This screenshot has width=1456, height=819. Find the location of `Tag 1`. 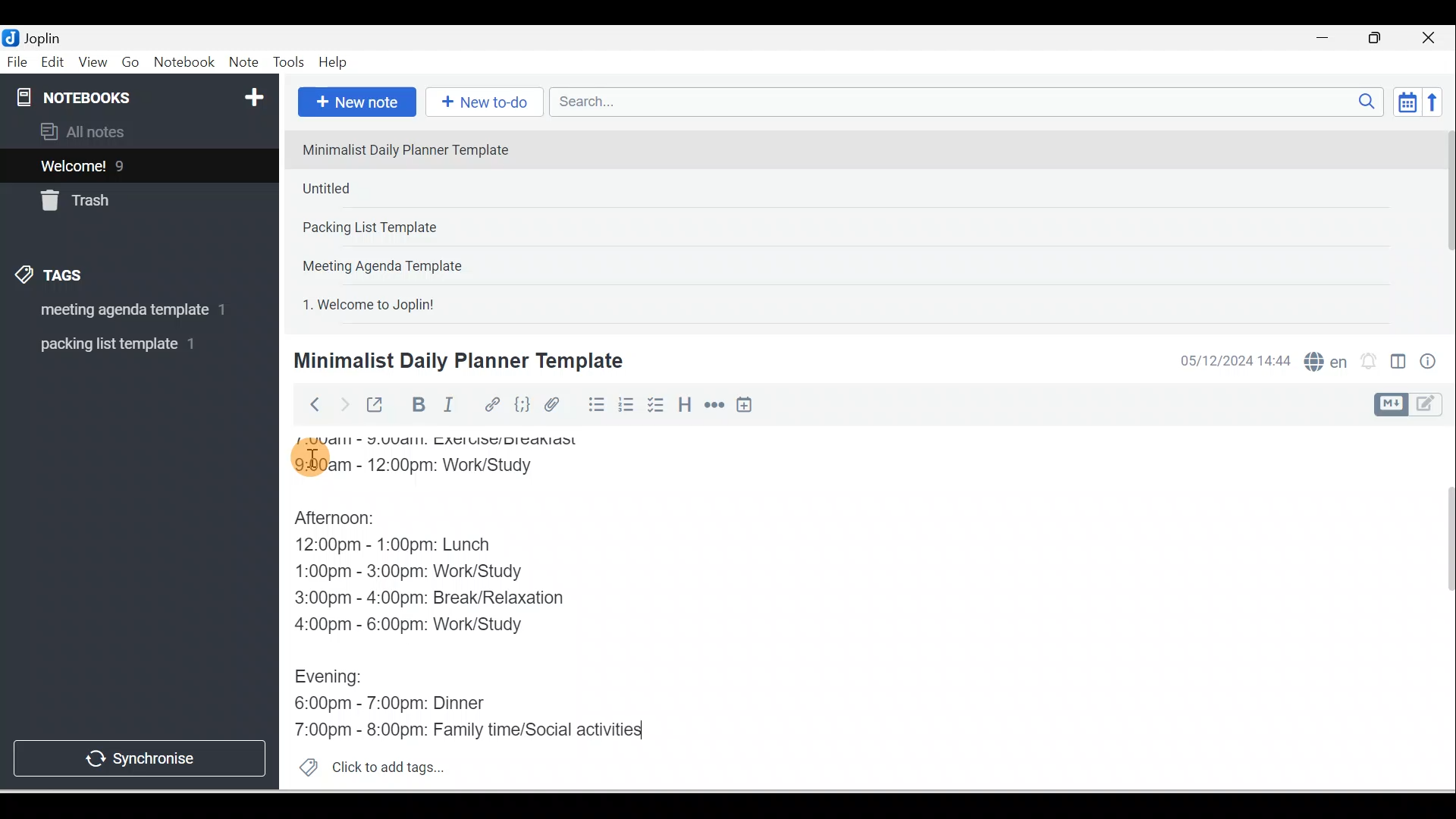

Tag 1 is located at coordinates (119, 311).